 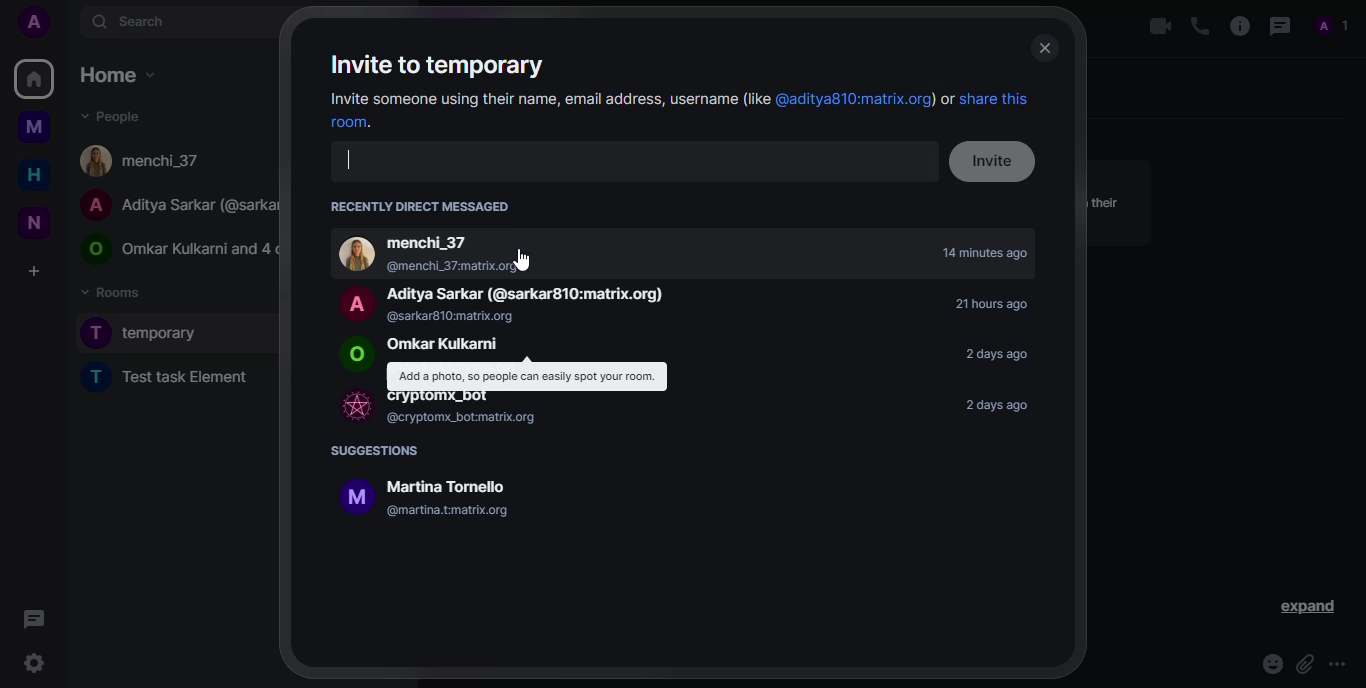 I want to click on | Add a photo, 50 people can easily spot your room., so click(x=526, y=376).